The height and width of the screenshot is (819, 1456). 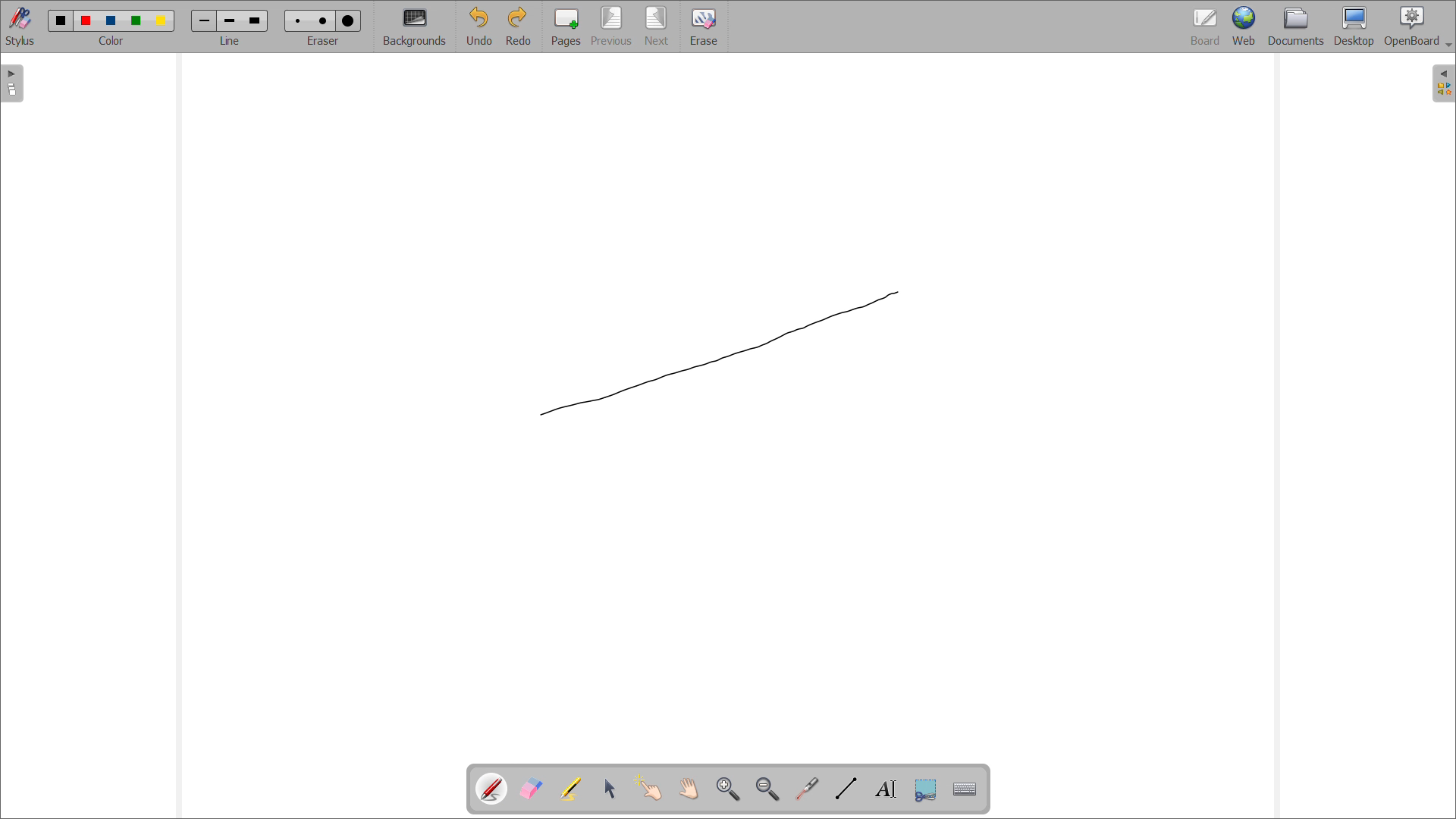 What do you see at coordinates (323, 20) in the screenshot?
I see `Eraser size` at bounding box center [323, 20].